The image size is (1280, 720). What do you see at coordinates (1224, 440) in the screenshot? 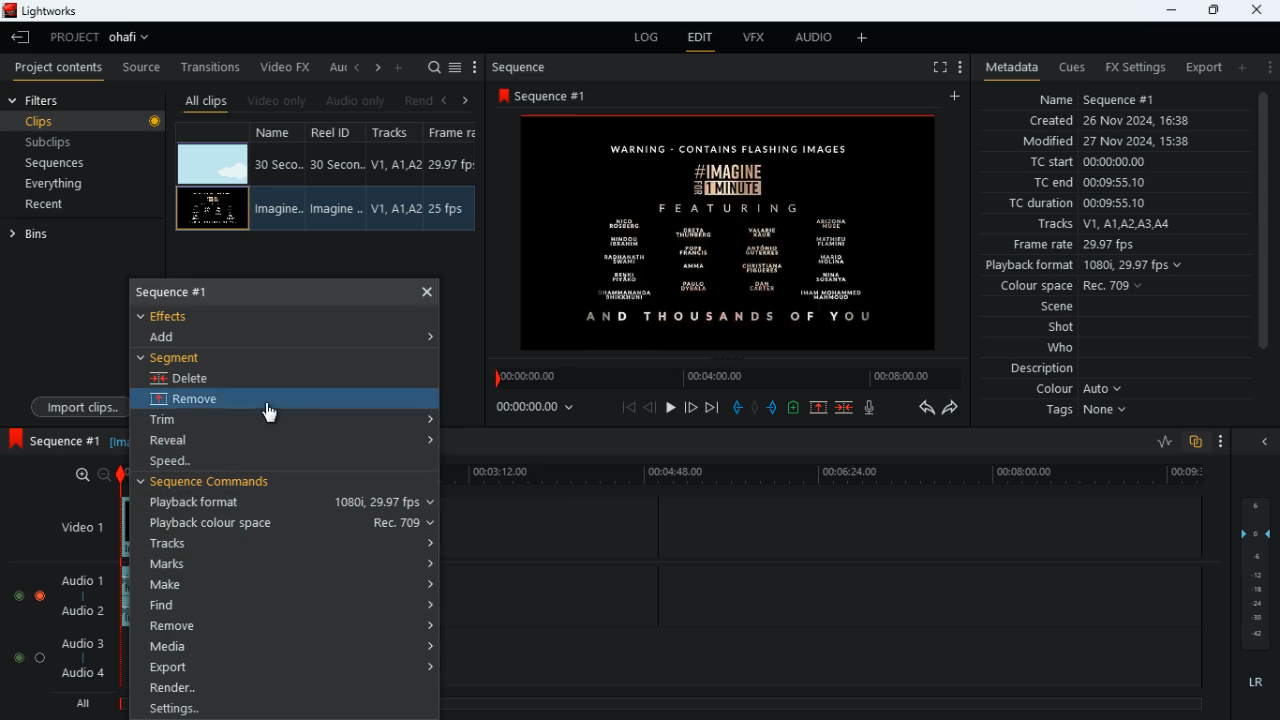
I see `more` at bounding box center [1224, 440].